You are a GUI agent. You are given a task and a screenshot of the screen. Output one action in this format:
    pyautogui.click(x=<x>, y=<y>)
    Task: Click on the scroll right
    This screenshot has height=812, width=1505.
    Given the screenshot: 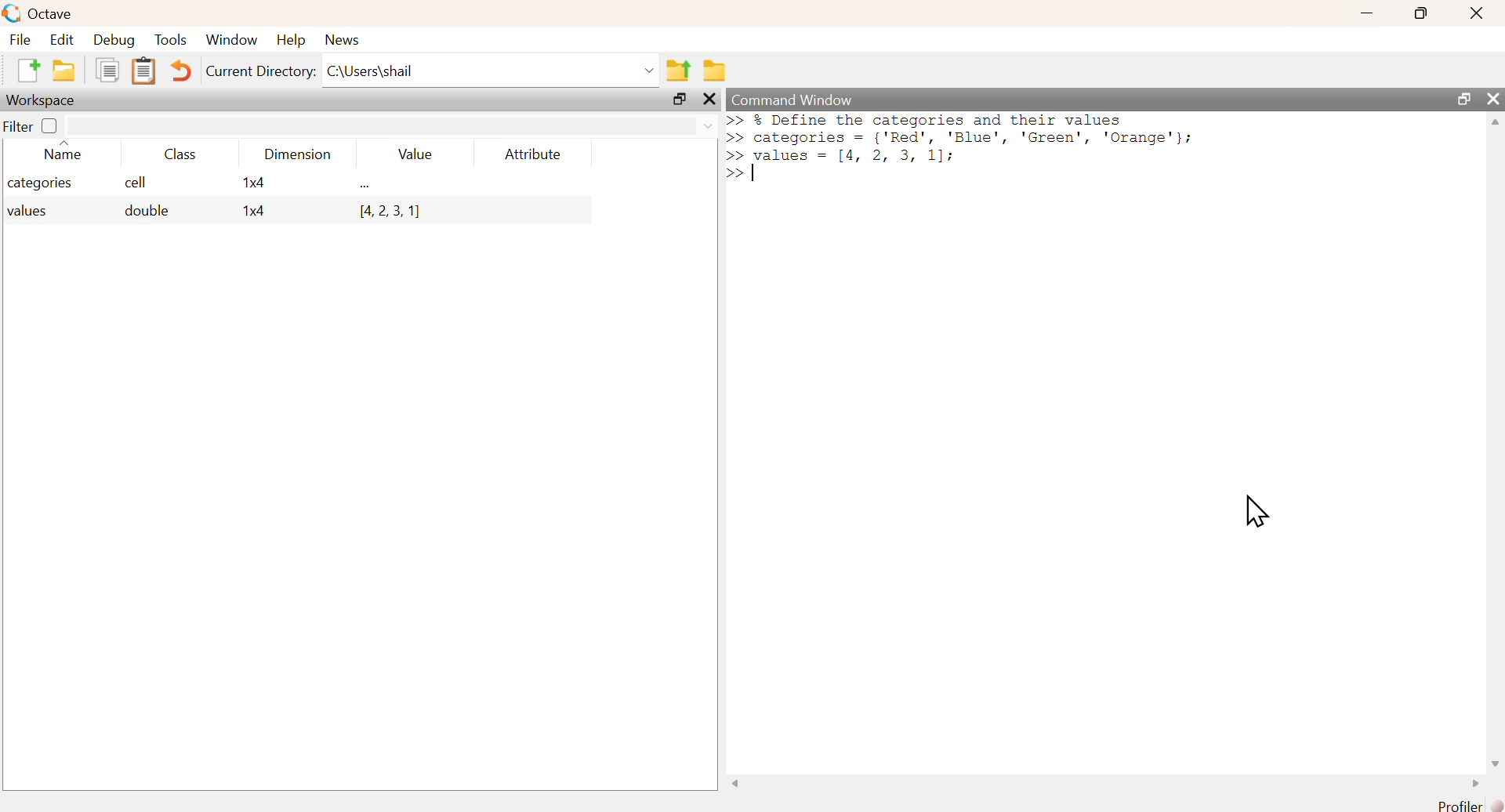 What is the action you would take?
    pyautogui.click(x=1472, y=782)
    